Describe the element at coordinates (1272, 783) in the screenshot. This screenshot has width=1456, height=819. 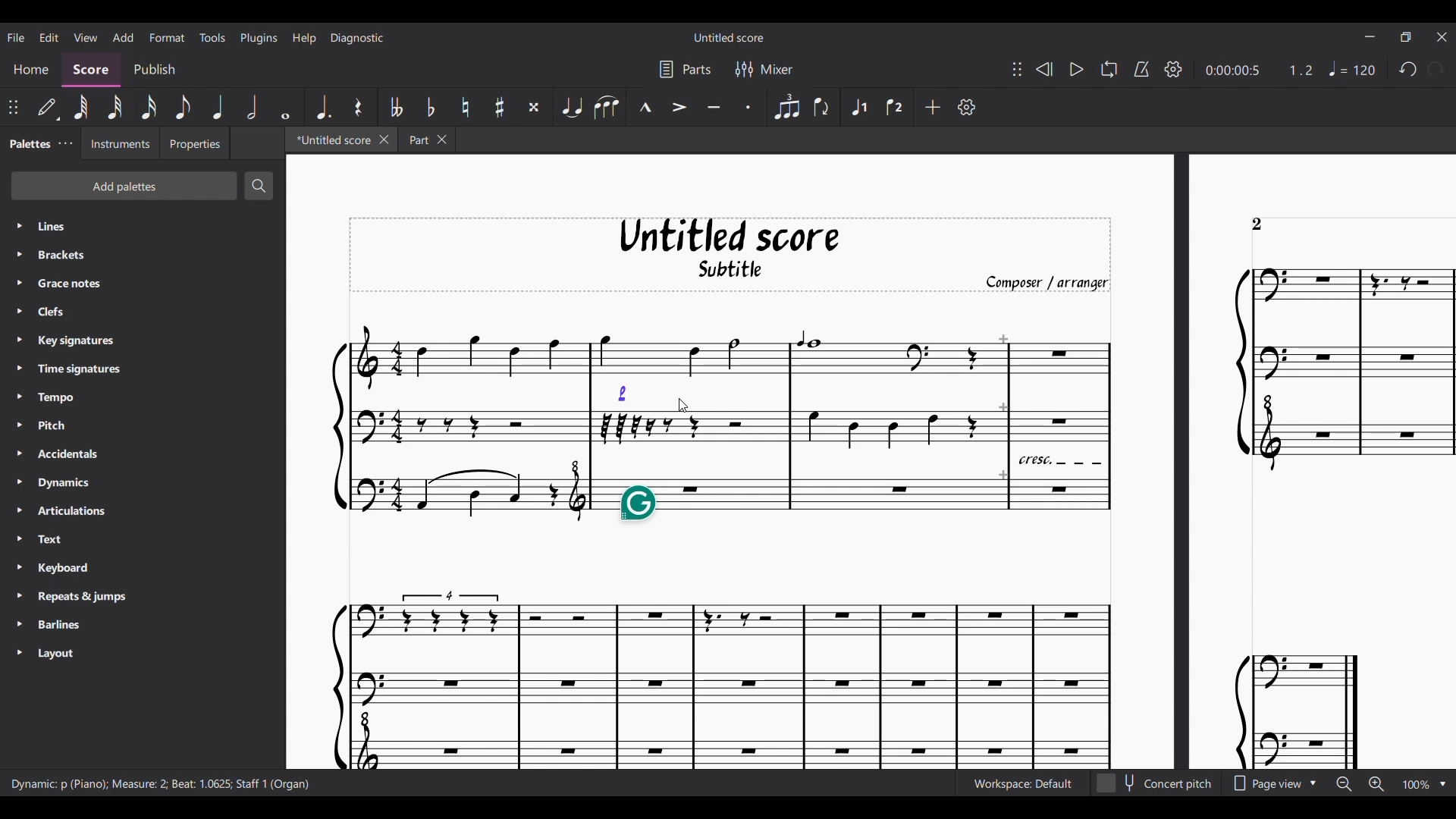
I see `Page view options` at that location.